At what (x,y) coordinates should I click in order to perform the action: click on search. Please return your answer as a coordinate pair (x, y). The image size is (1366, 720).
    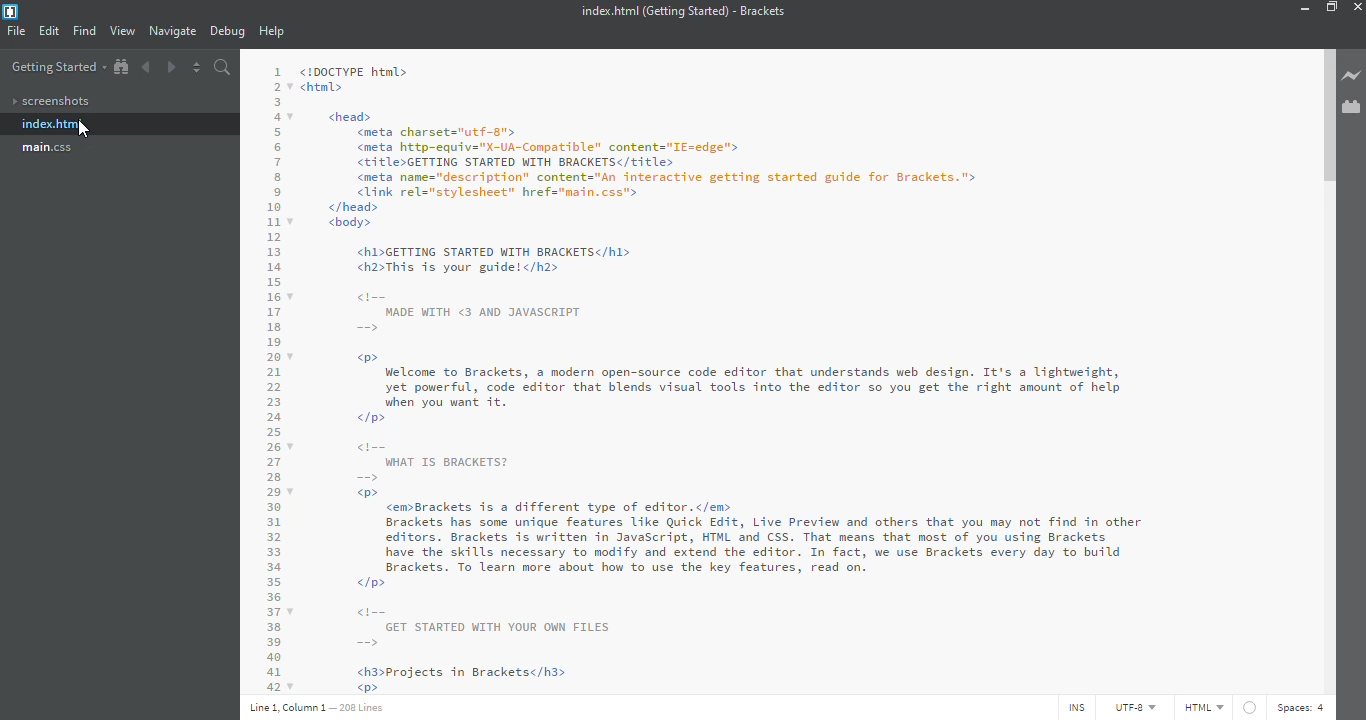
    Looking at the image, I should click on (223, 67).